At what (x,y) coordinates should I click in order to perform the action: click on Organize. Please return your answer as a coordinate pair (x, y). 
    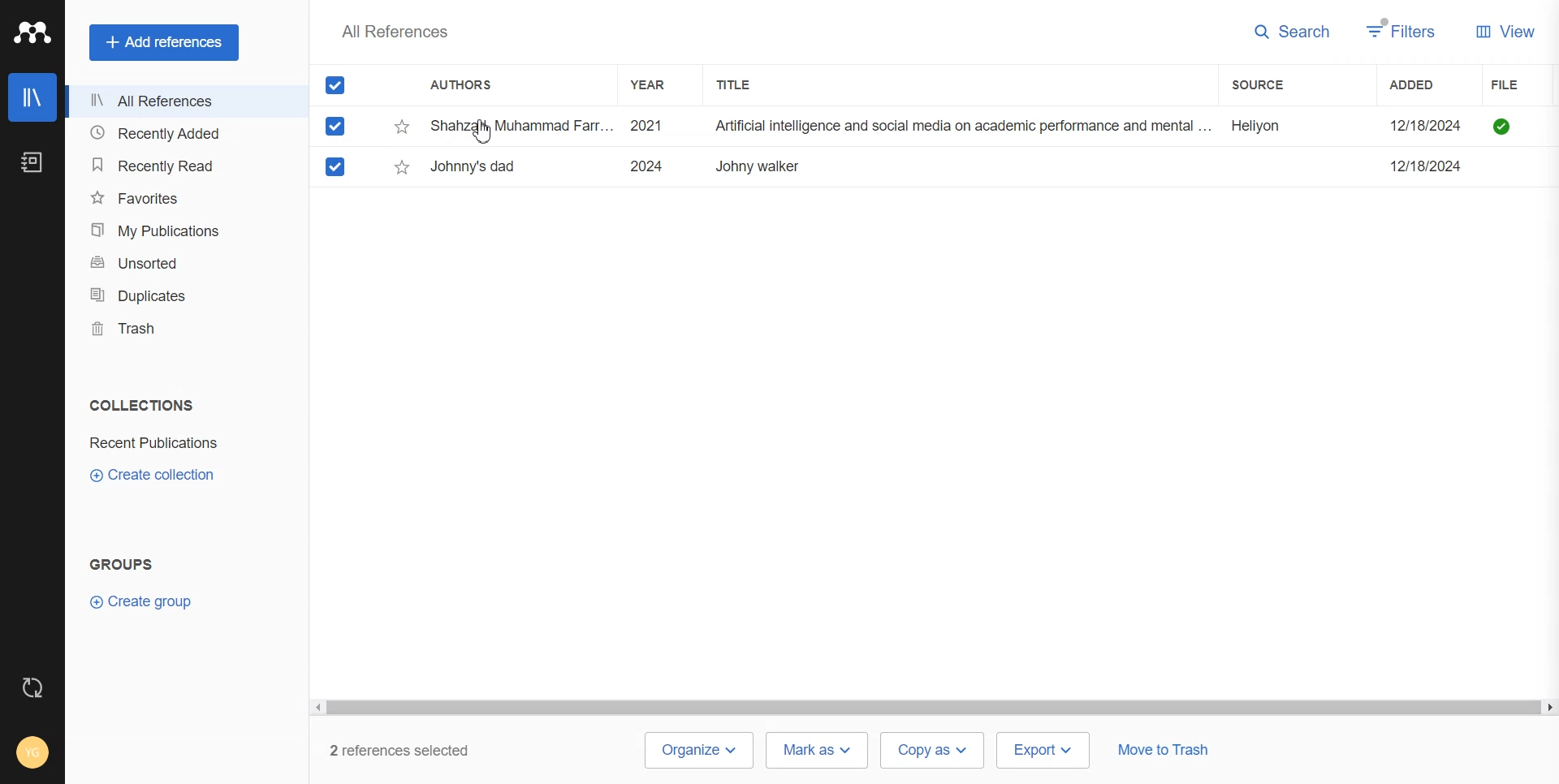
    Looking at the image, I should click on (697, 751).